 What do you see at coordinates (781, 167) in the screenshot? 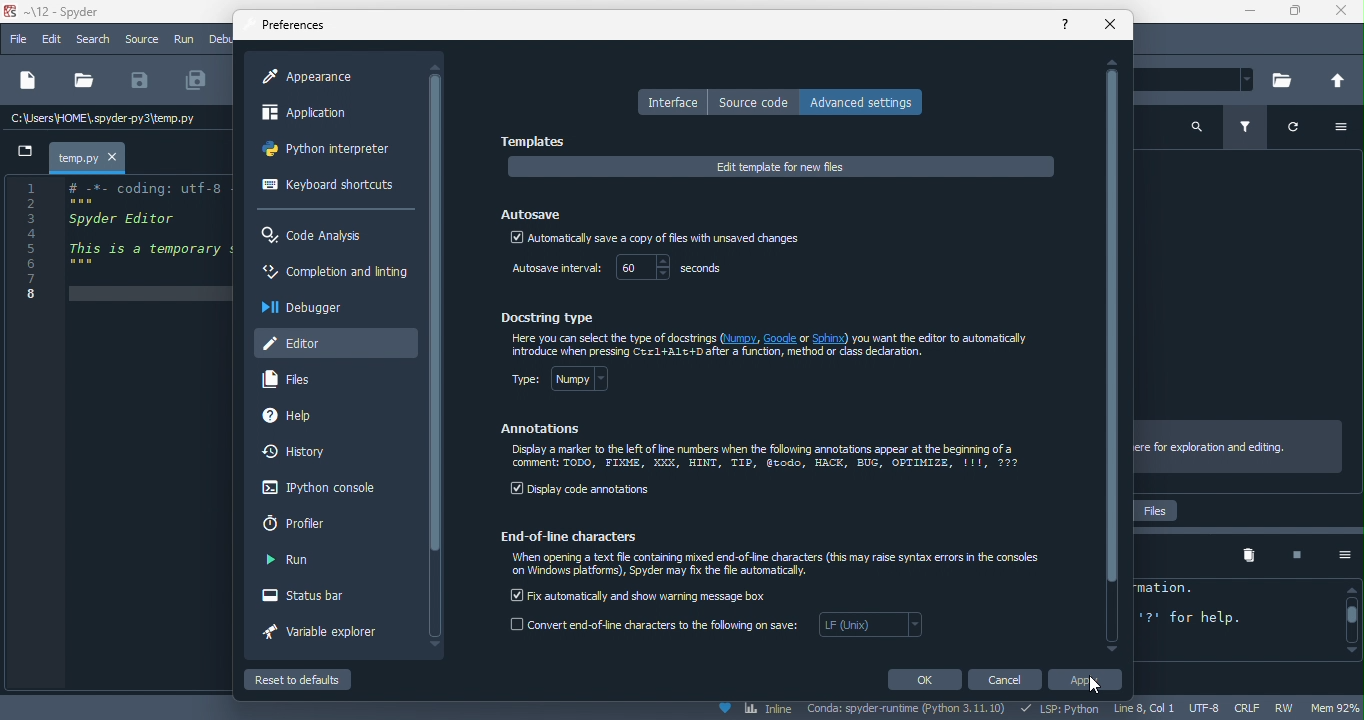
I see `edit template` at bounding box center [781, 167].